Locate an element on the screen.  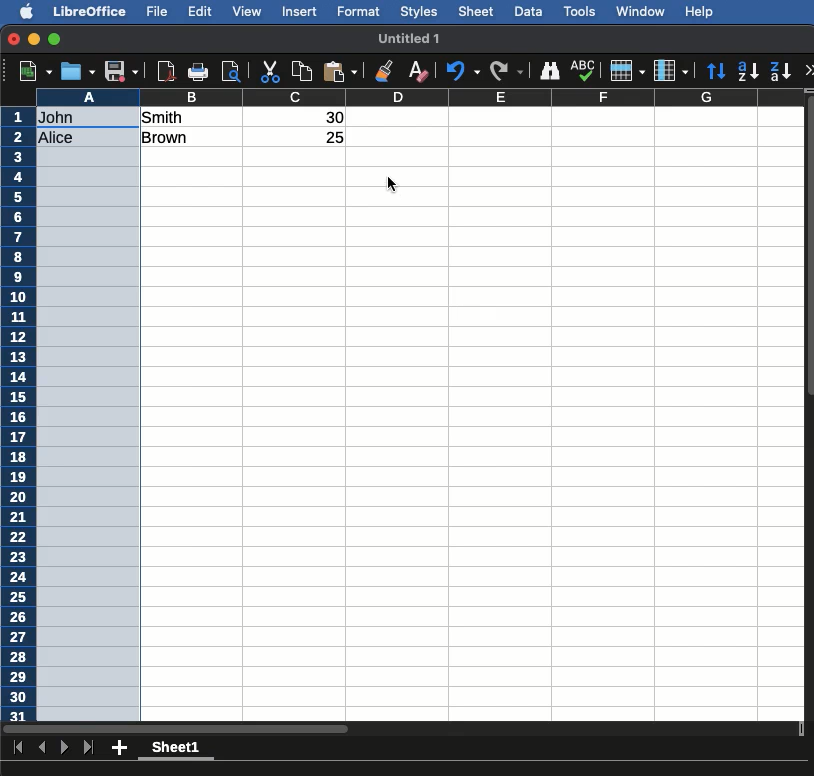
More is located at coordinates (809, 69).